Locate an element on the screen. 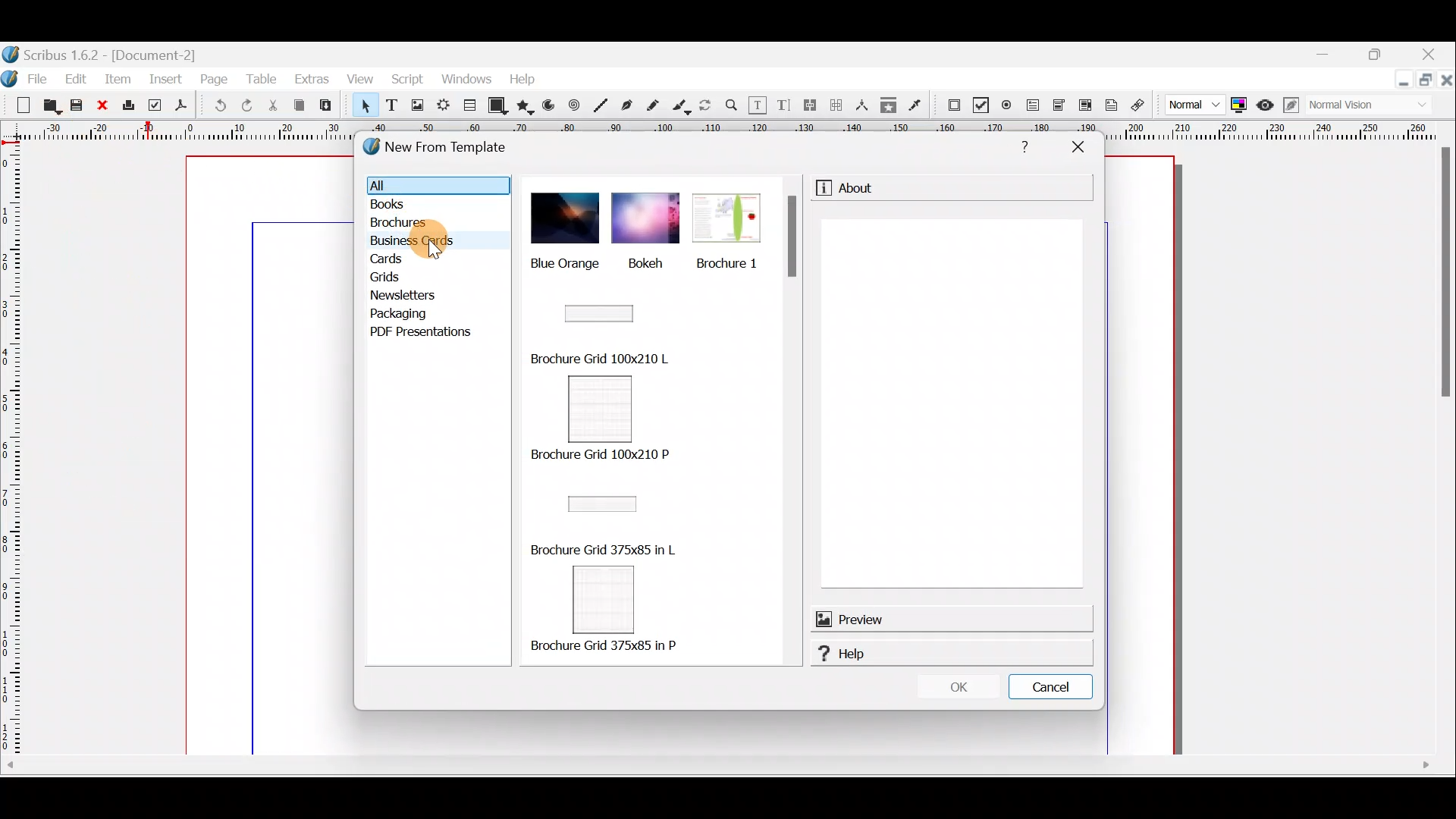  Books is located at coordinates (431, 206).